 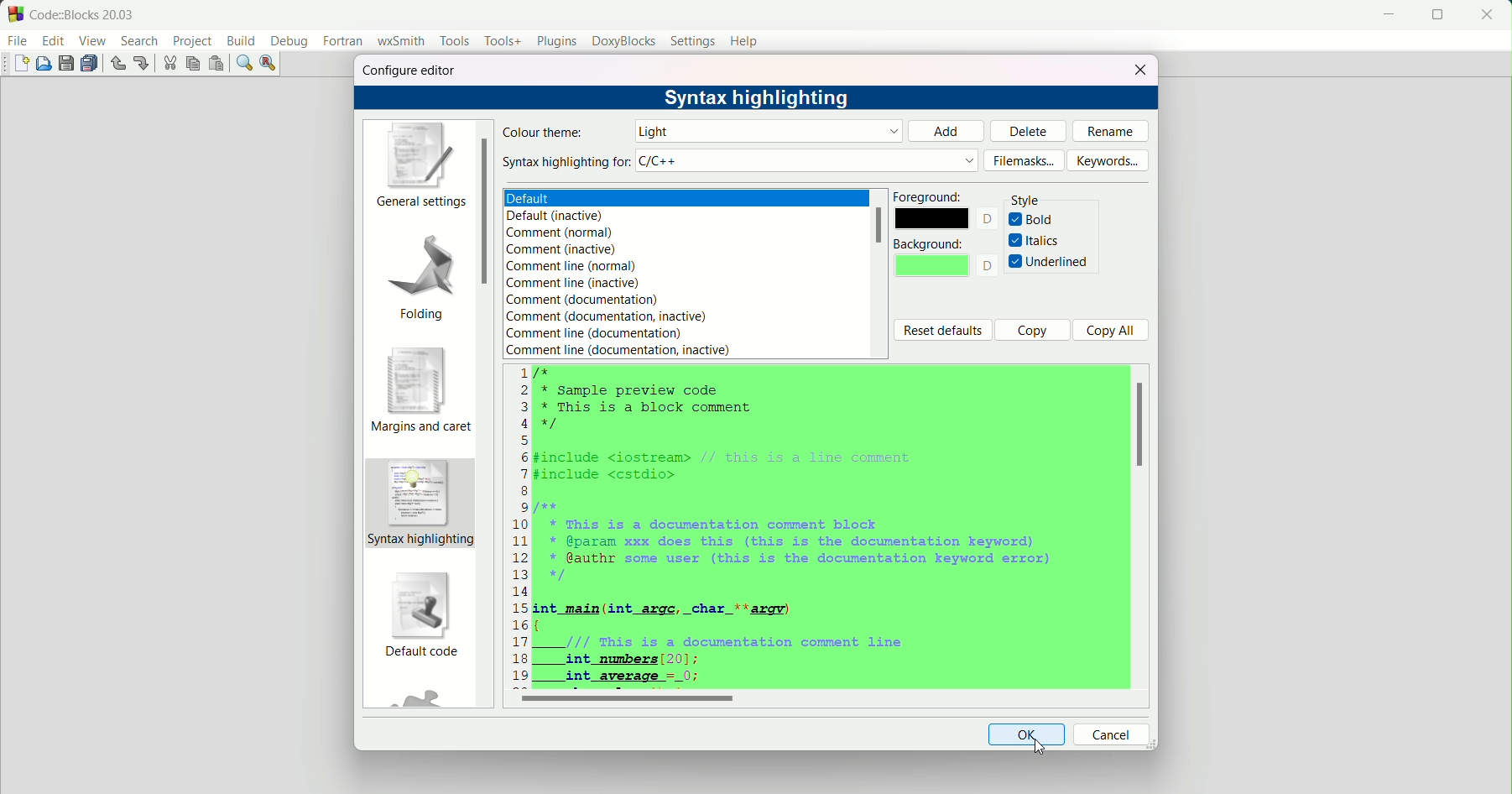 I want to click on underlined, so click(x=1050, y=261).